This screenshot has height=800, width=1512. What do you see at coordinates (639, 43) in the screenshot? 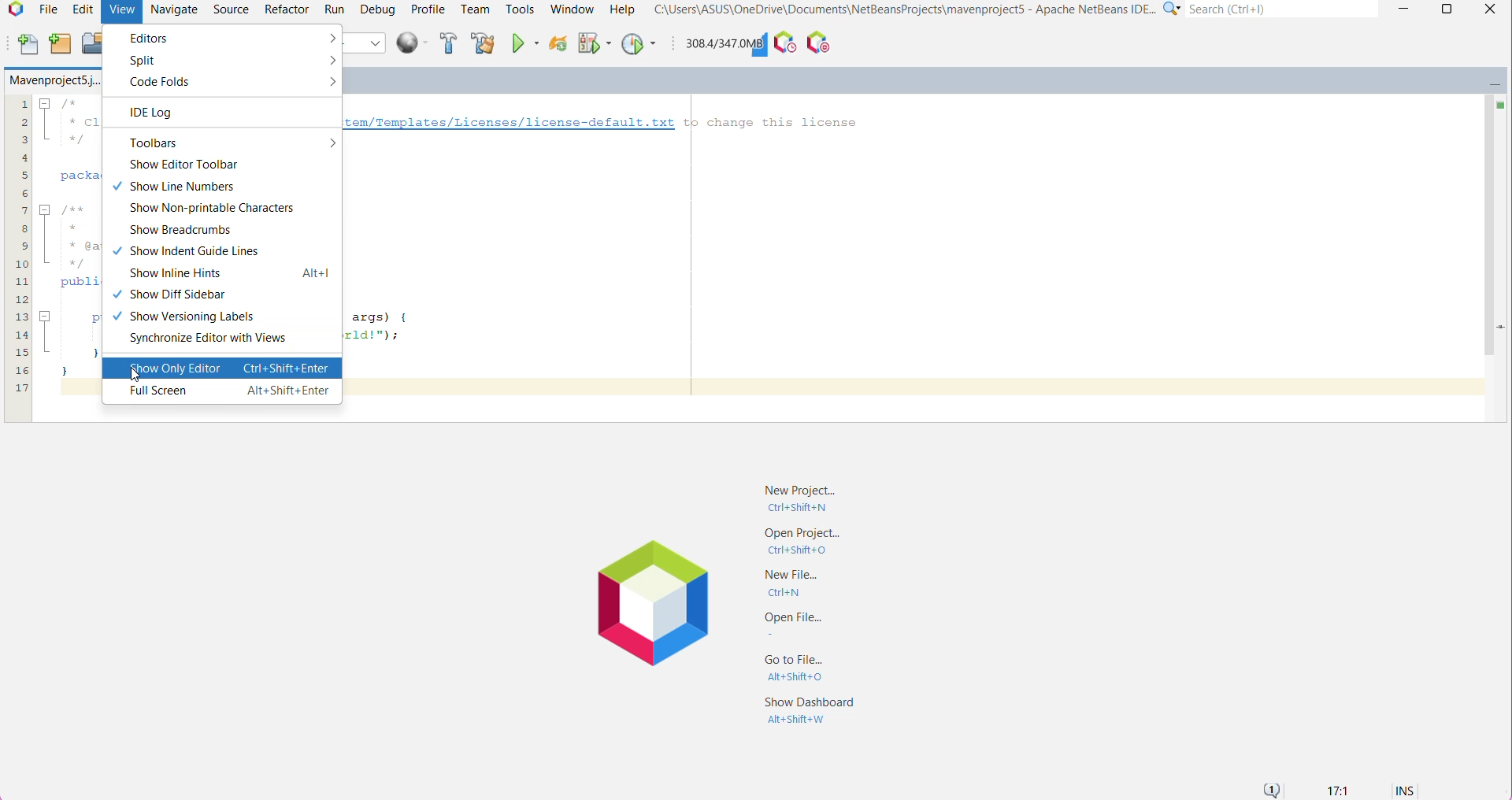
I see `Profile Main Project` at bounding box center [639, 43].